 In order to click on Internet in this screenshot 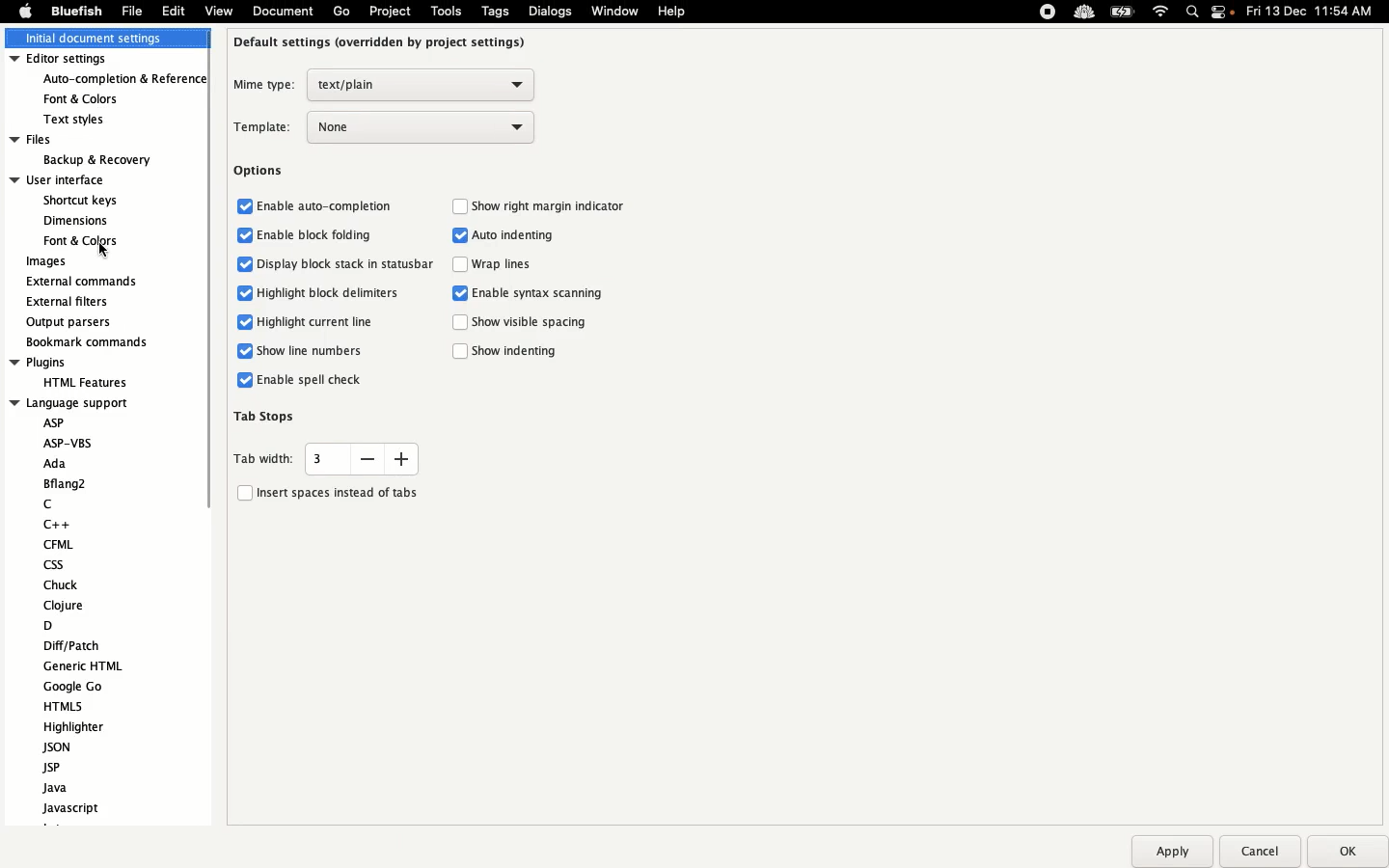, I will do `click(1161, 13)`.